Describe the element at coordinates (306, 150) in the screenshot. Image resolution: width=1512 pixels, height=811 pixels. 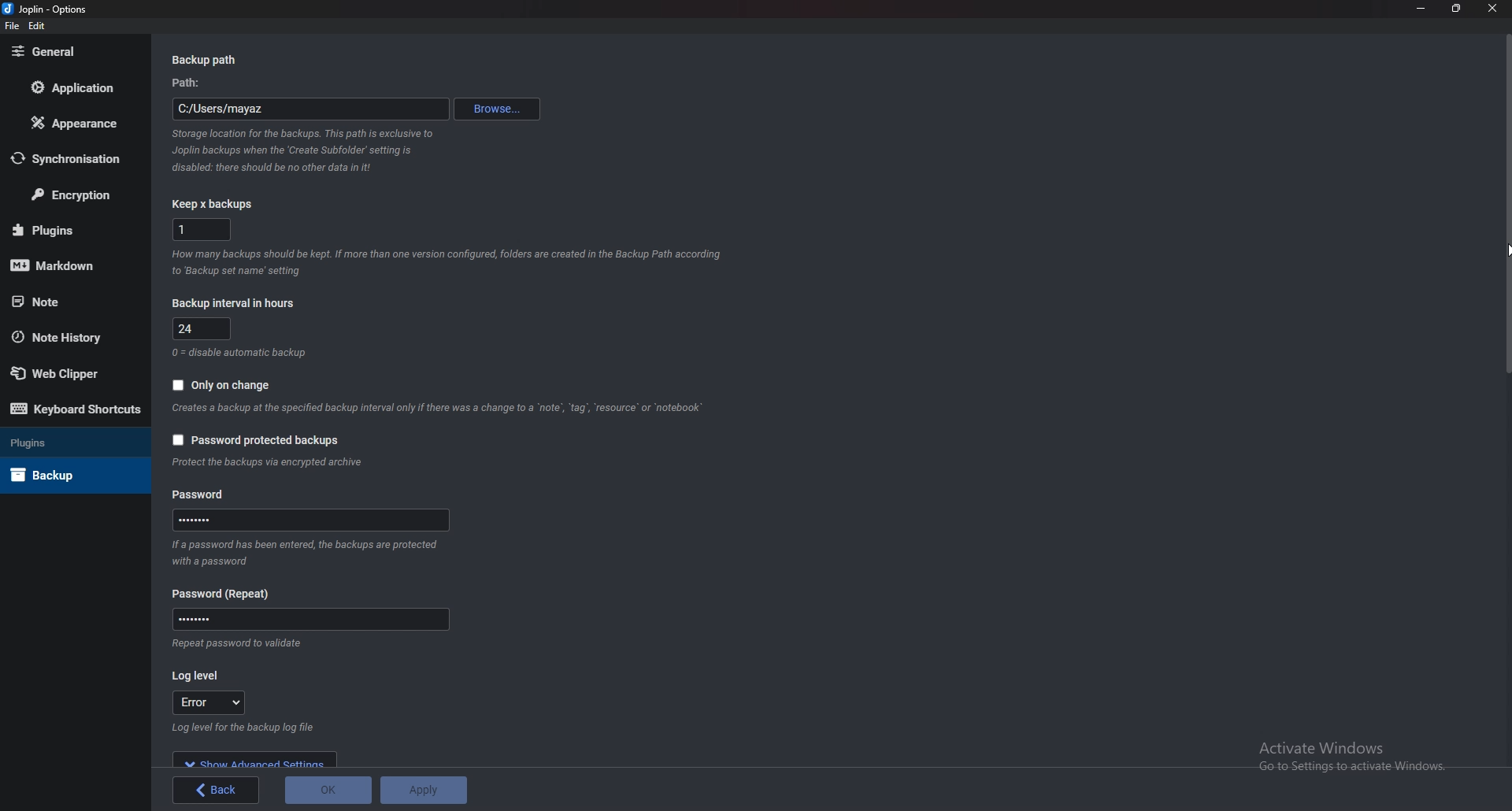
I see `Info` at that location.